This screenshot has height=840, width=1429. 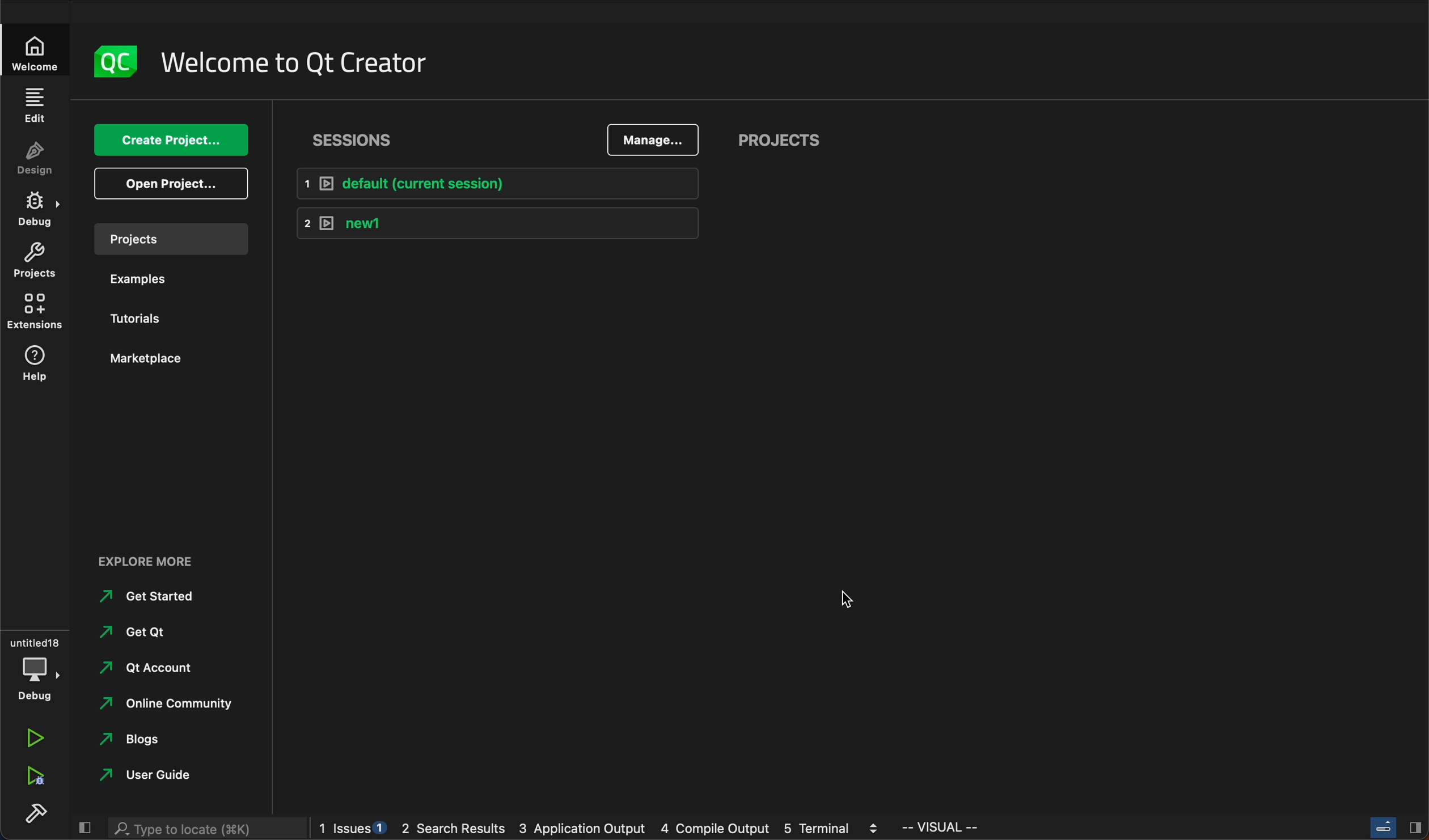 What do you see at coordinates (36, 262) in the screenshot?
I see `projects` at bounding box center [36, 262].